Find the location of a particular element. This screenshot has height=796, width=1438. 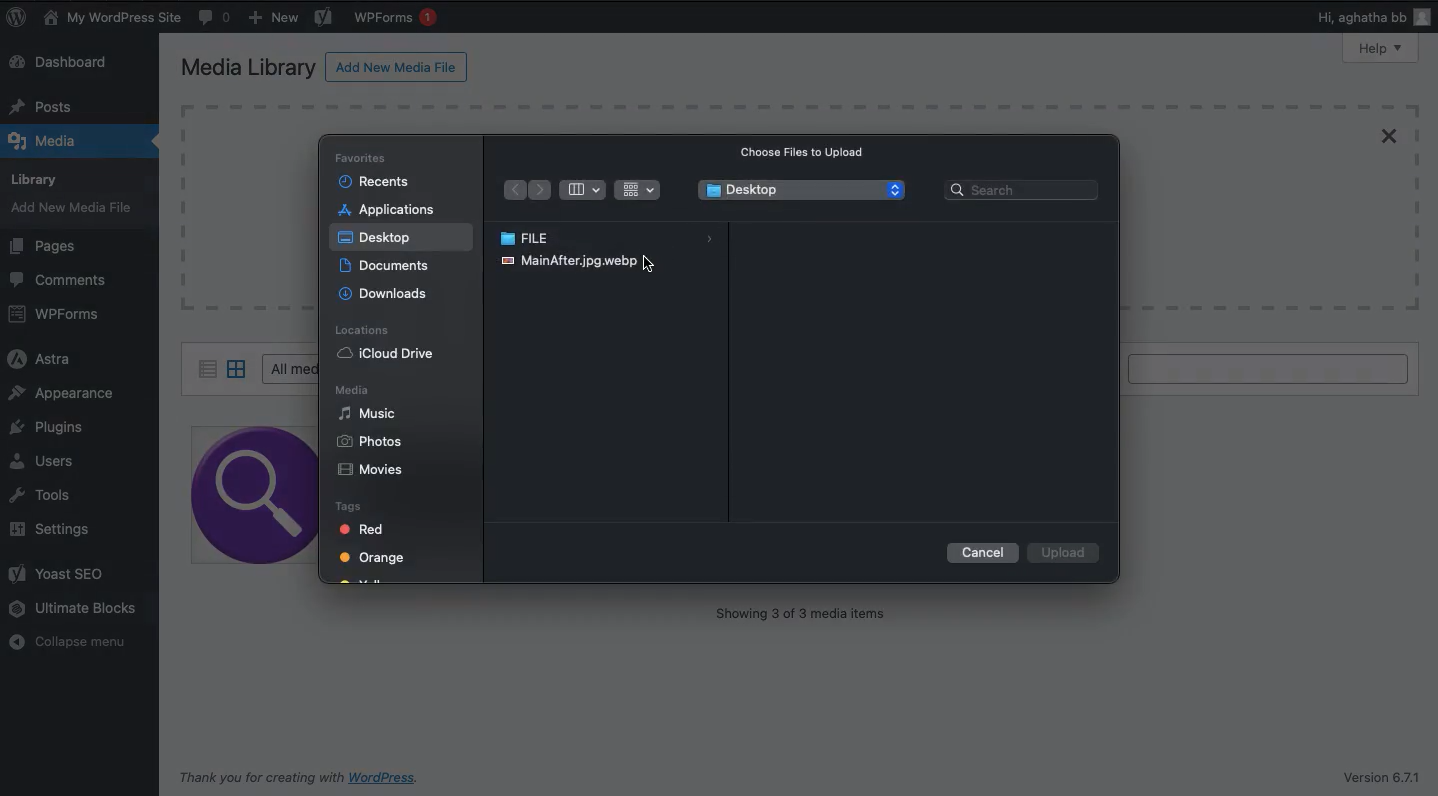

Pages is located at coordinates (47, 248).